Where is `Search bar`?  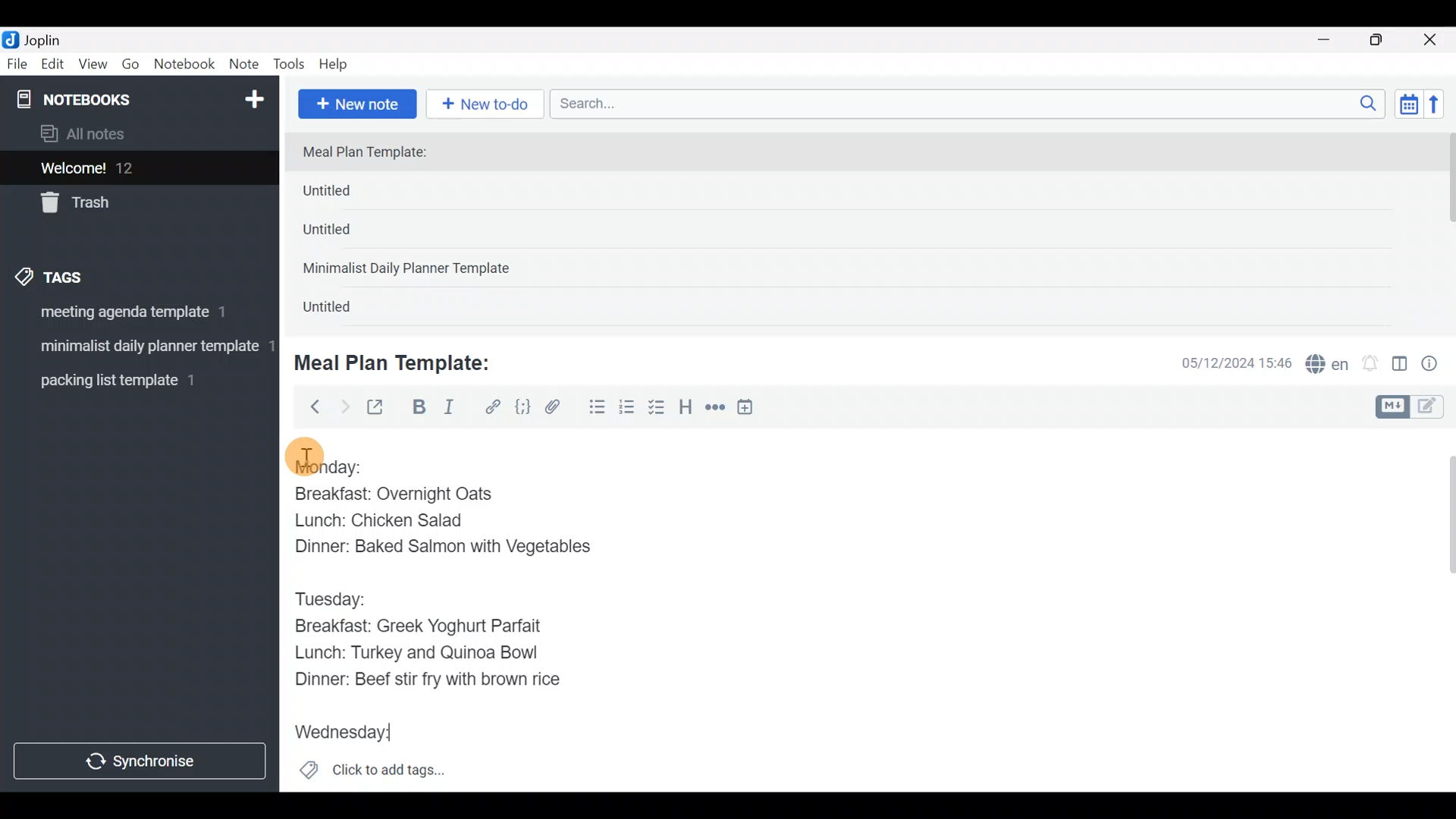
Search bar is located at coordinates (971, 102).